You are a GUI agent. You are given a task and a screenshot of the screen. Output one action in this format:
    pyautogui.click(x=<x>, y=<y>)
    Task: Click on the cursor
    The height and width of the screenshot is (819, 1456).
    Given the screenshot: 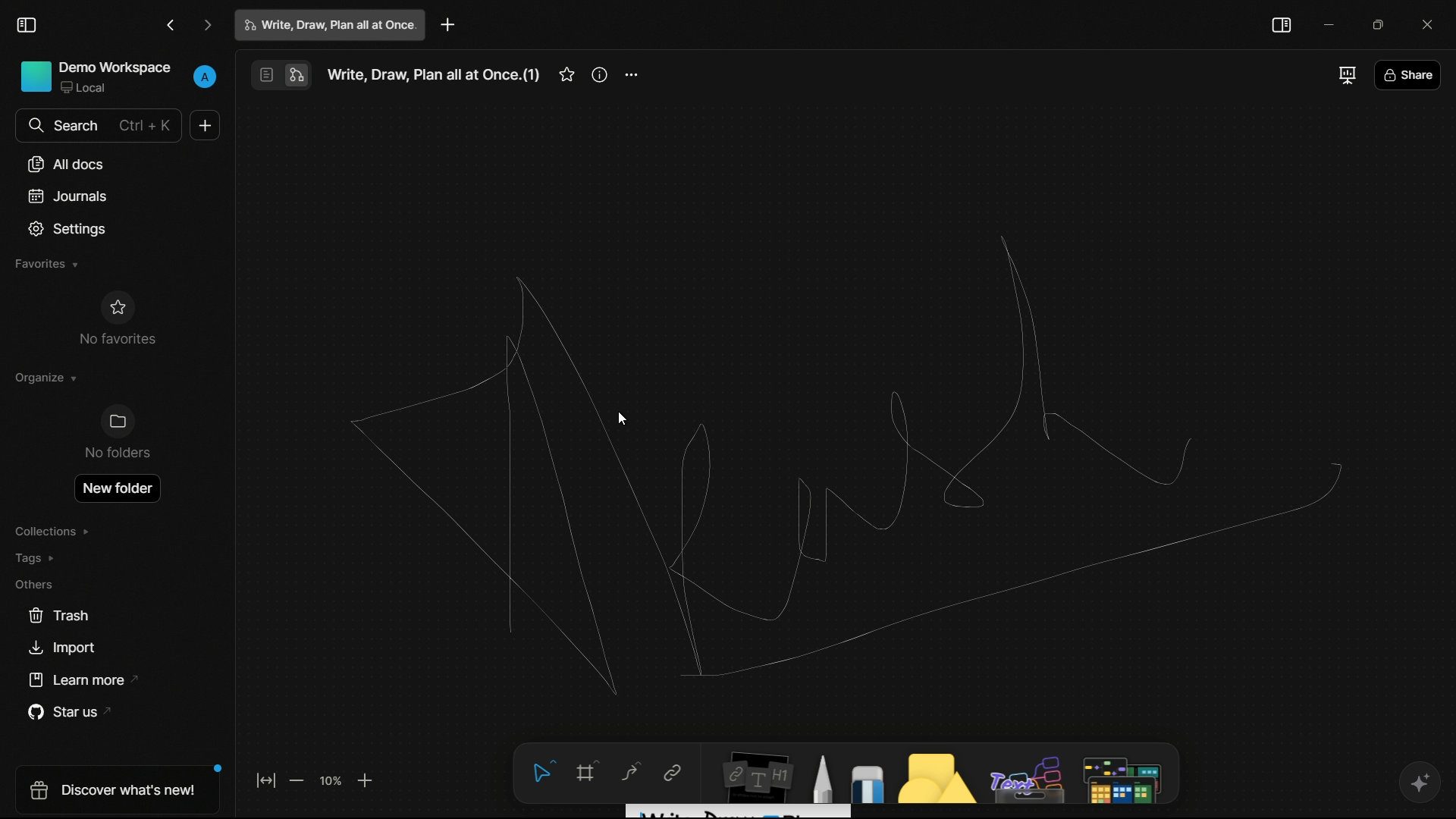 What is the action you would take?
    pyautogui.click(x=621, y=419)
    